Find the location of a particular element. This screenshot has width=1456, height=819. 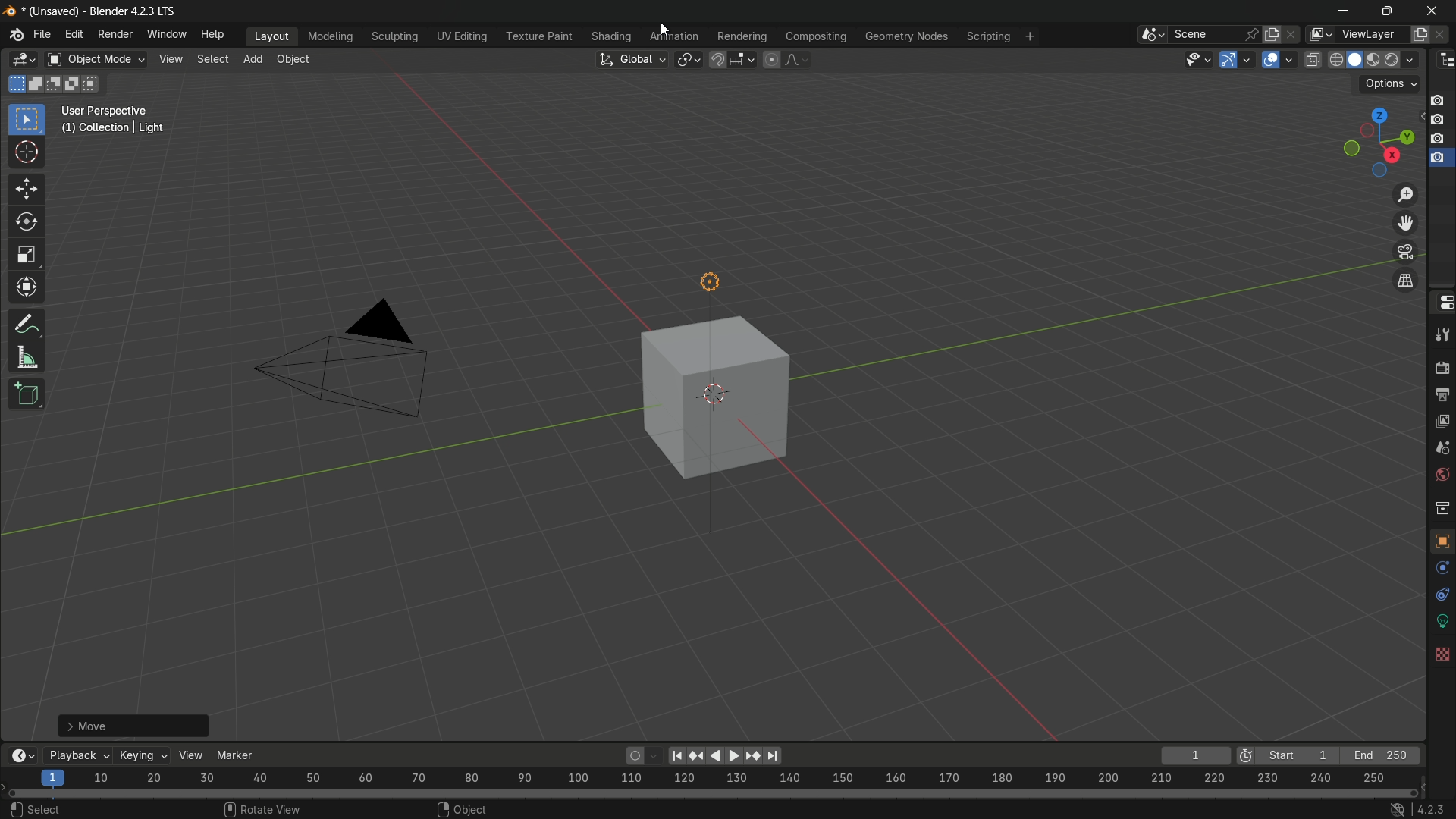

view is located at coordinates (171, 60).